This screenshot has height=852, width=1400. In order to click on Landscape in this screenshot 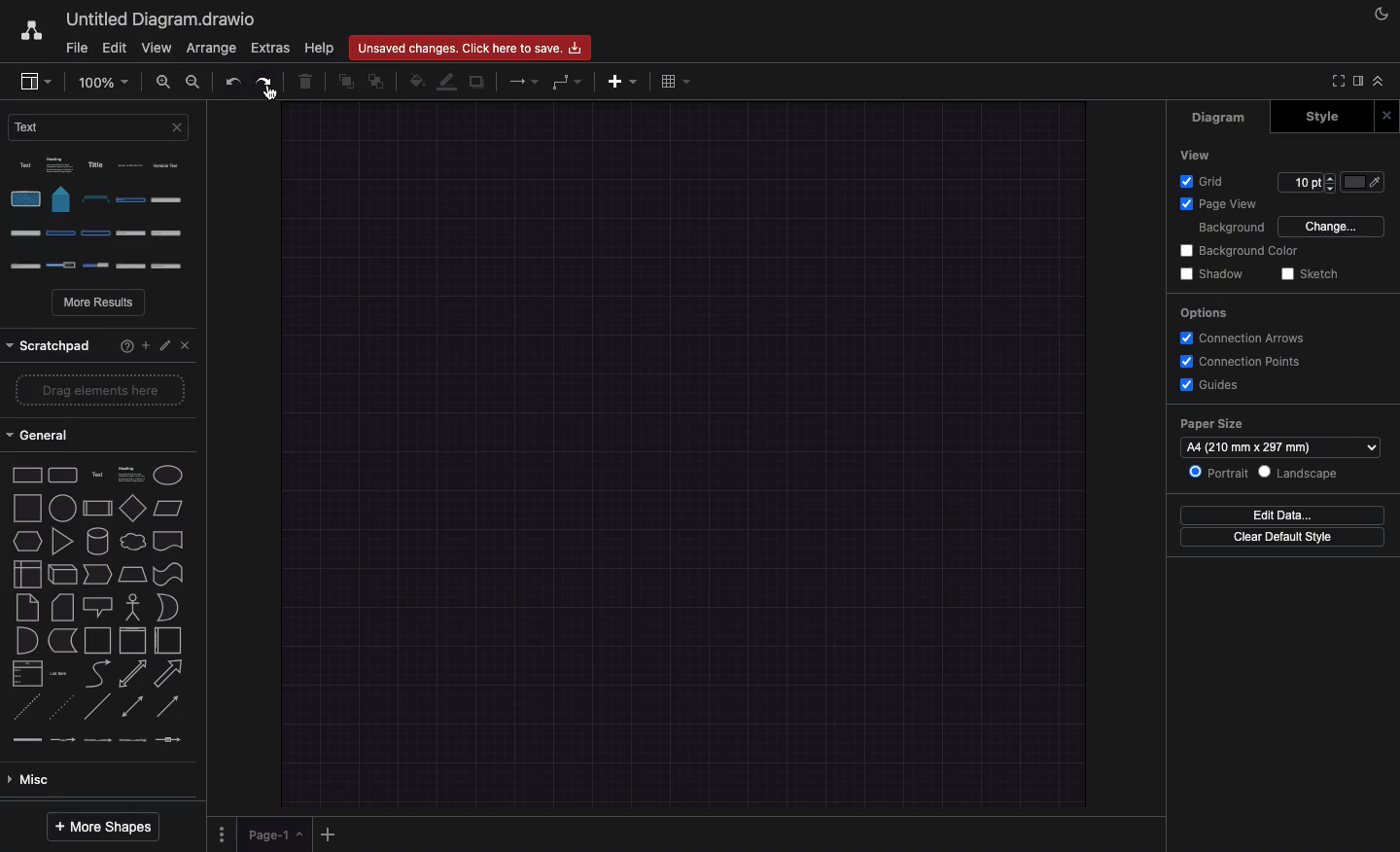, I will do `click(1299, 473)`.